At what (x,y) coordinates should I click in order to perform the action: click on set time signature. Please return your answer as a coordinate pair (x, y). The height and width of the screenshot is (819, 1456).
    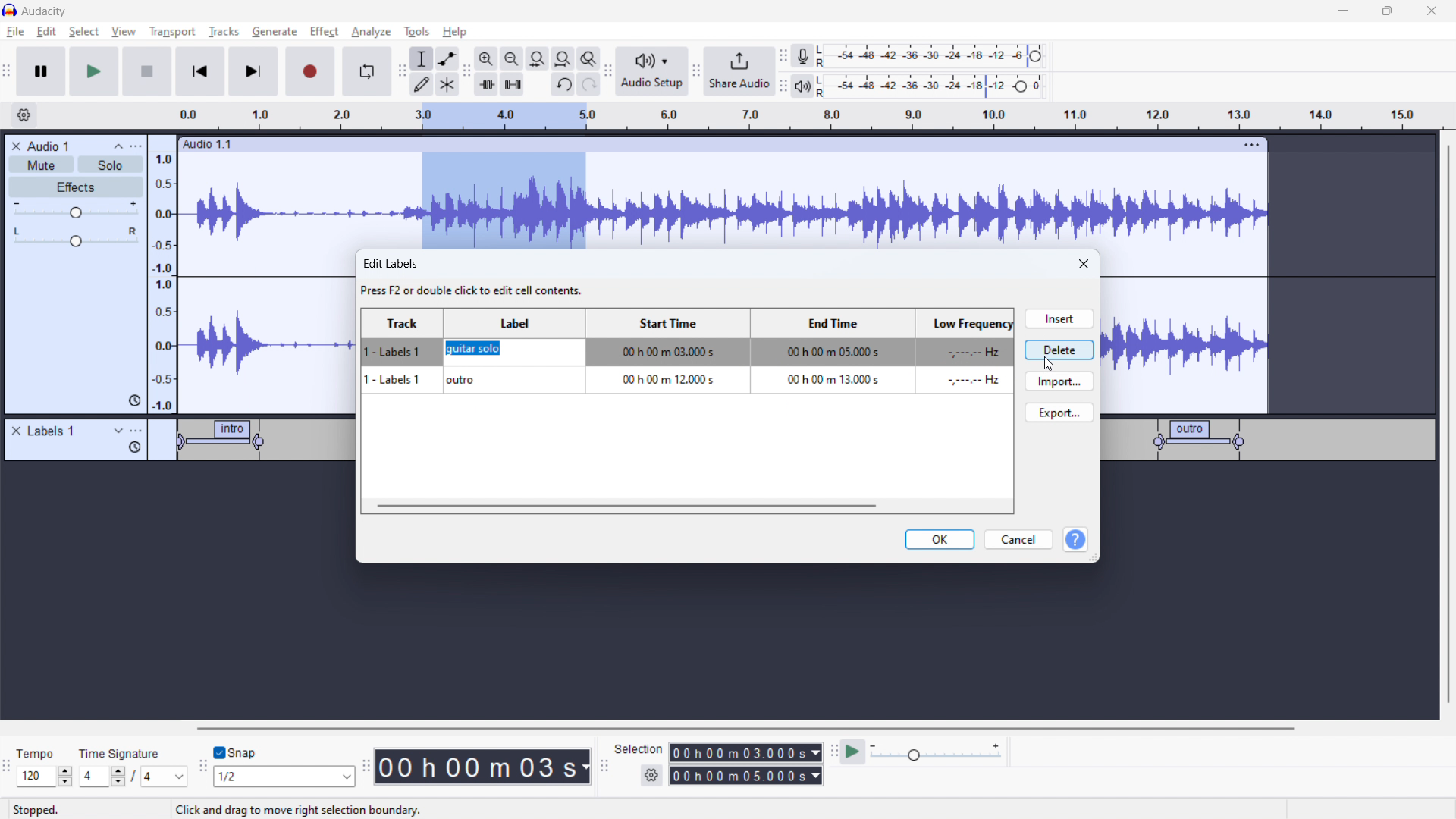
    Looking at the image, I should click on (134, 776).